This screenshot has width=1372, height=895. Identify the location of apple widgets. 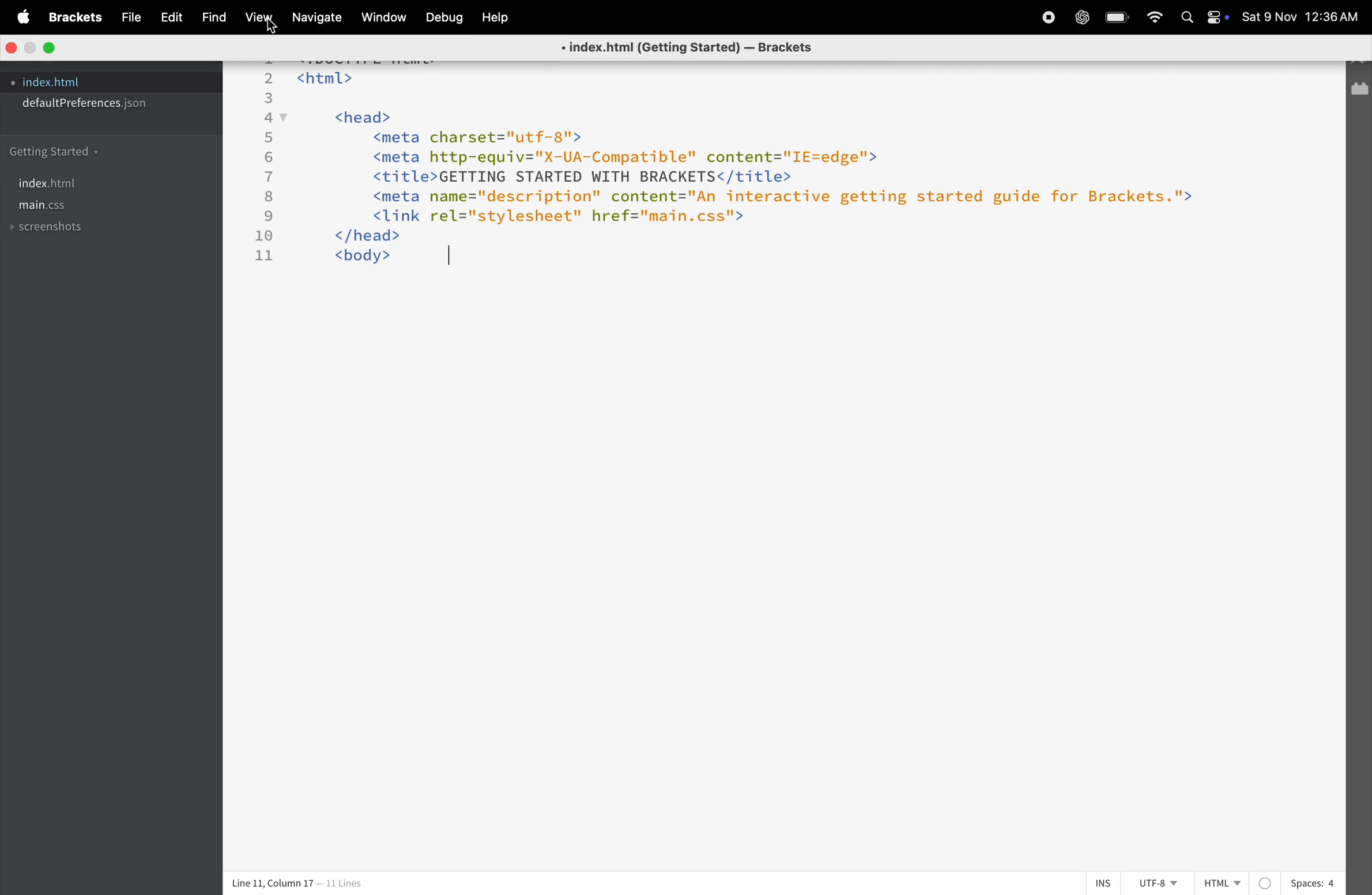
(1206, 18).